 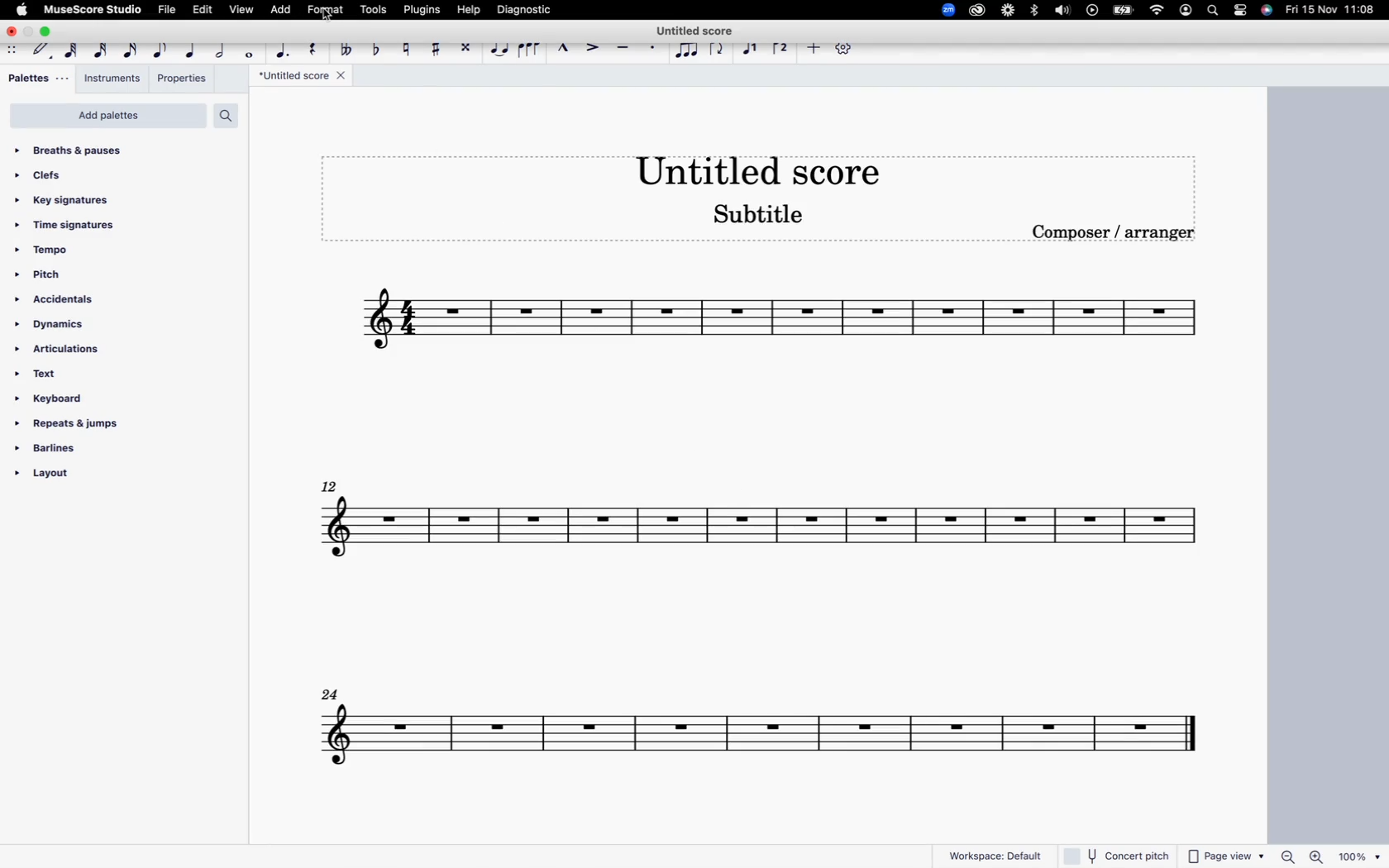 I want to click on cursor, so click(x=328, y=15).